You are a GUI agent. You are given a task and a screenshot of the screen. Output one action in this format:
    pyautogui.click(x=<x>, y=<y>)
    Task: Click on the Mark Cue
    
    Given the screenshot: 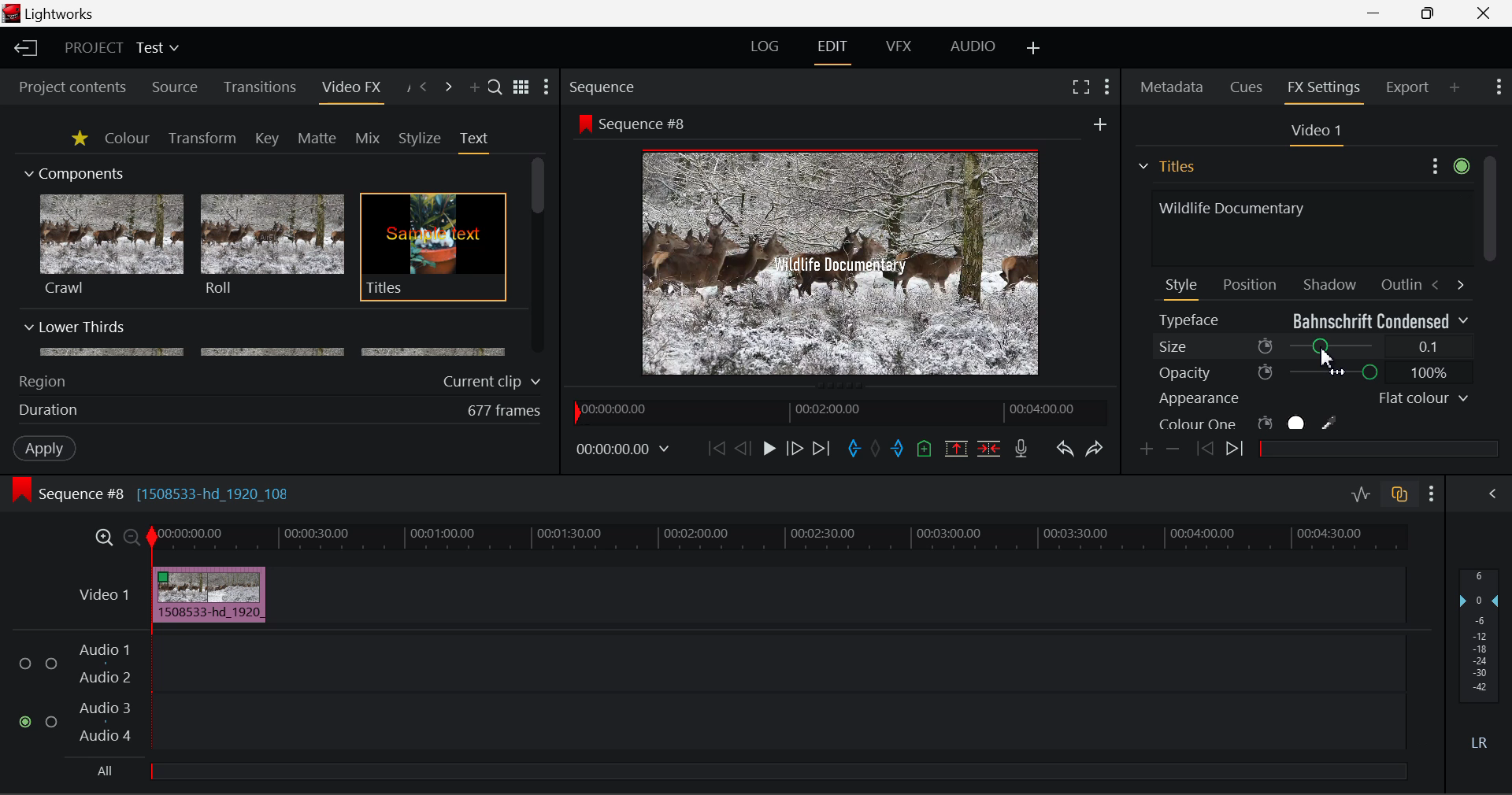 What is the action you would take?
    pyautogui.click(x=926, y=450)
    